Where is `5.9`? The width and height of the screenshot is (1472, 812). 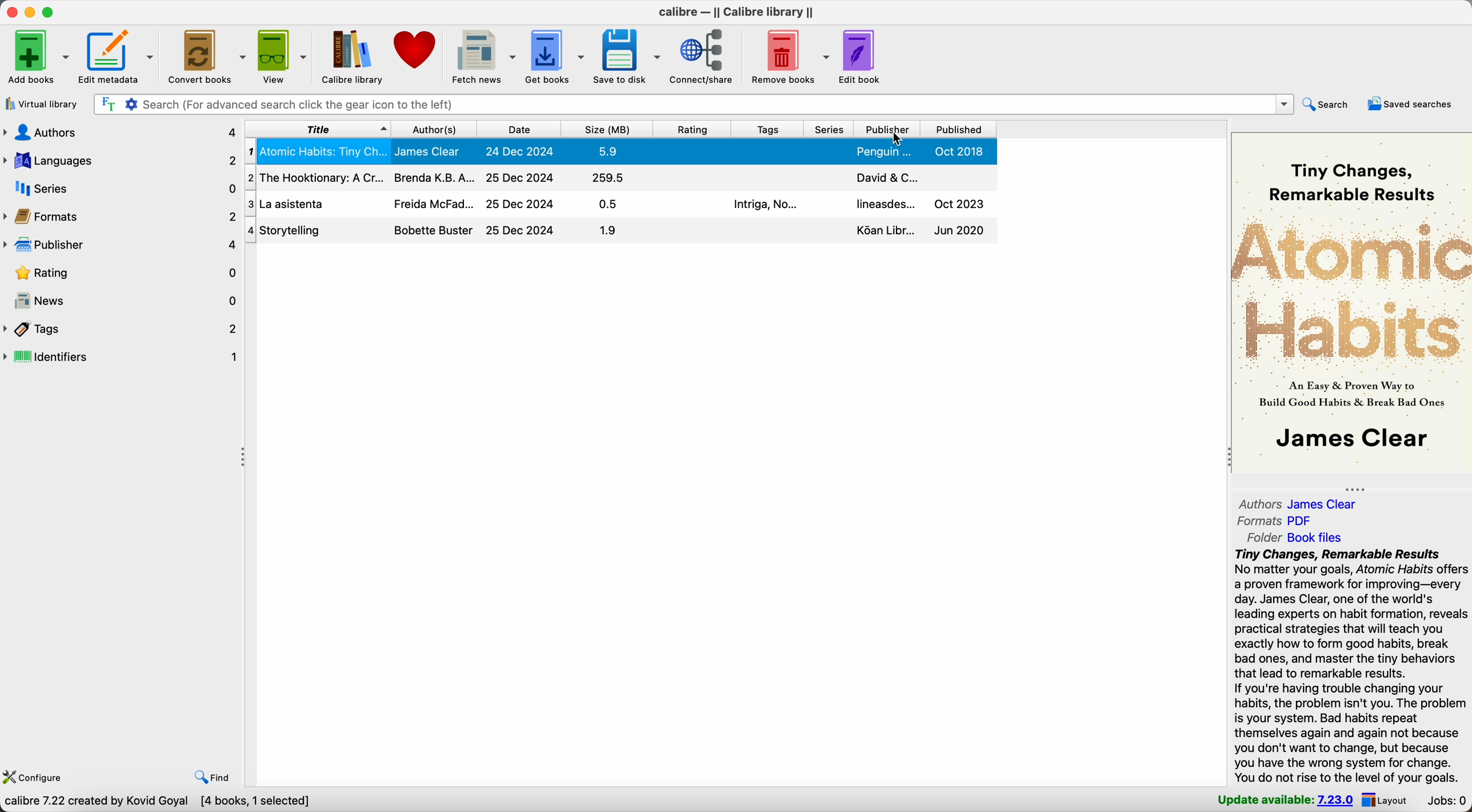 5.9 is located at coordinates (609, 151).